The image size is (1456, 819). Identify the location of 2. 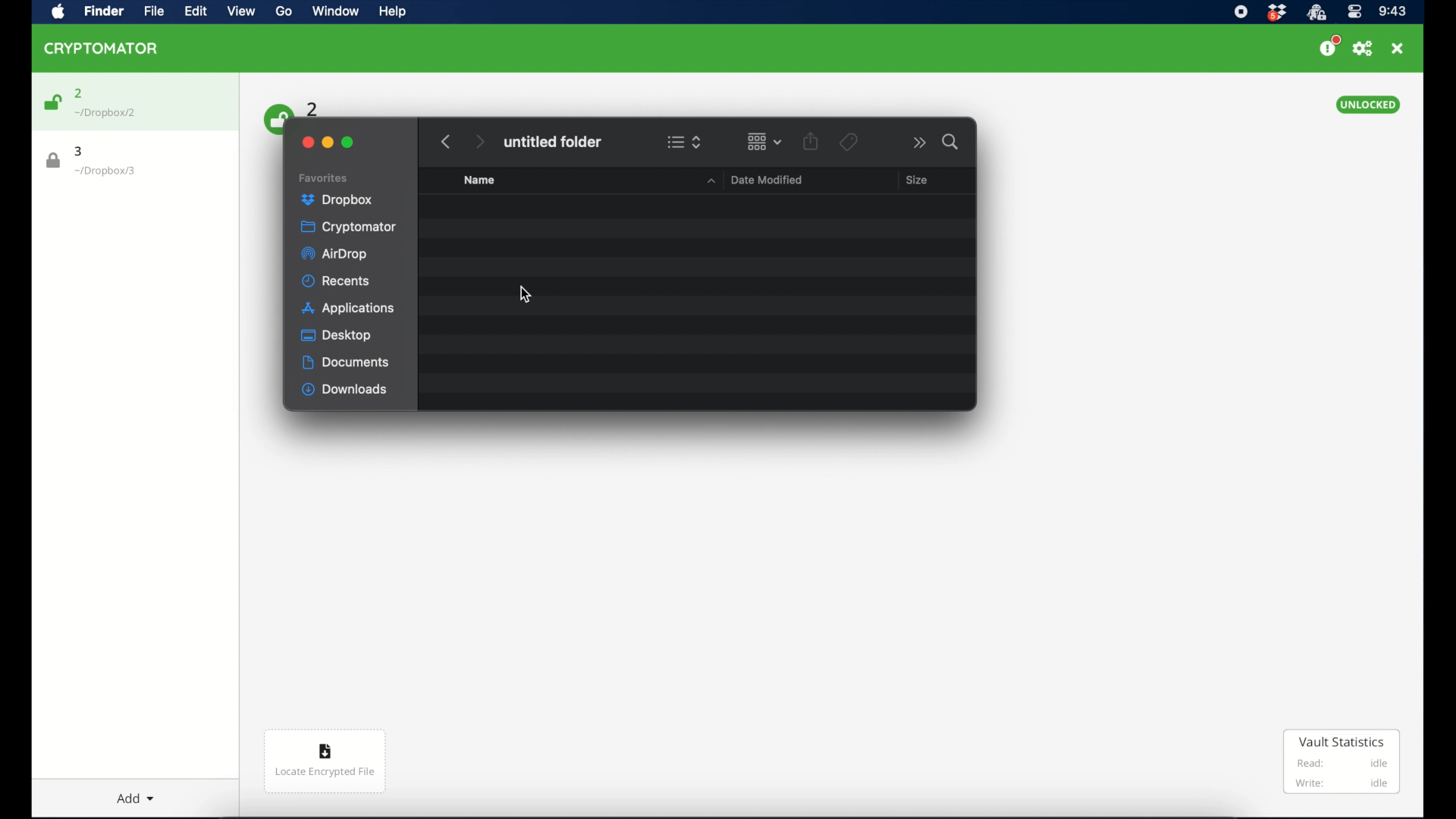
(79, 93).